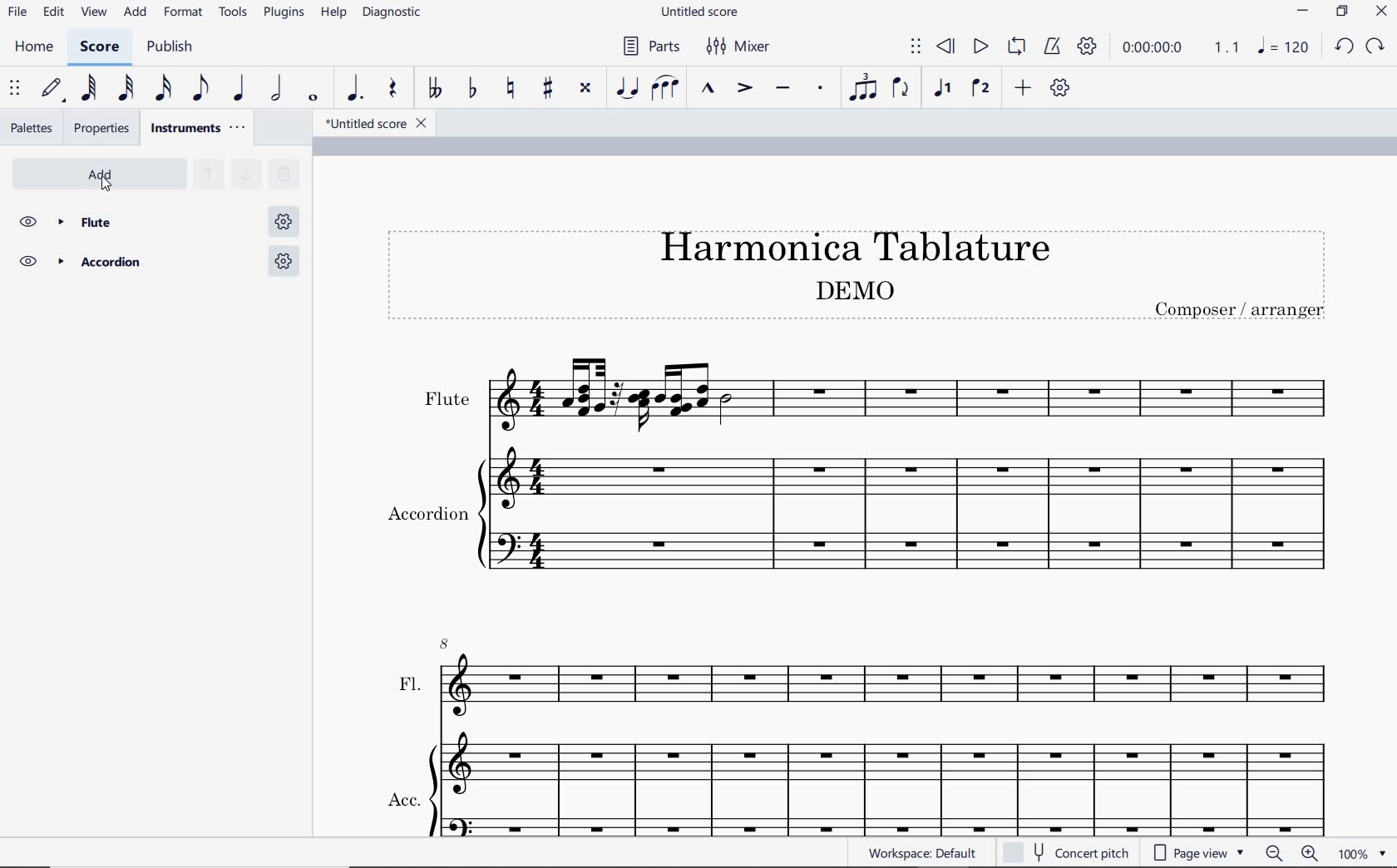  I want to click on VIEW, so click(95, 12).